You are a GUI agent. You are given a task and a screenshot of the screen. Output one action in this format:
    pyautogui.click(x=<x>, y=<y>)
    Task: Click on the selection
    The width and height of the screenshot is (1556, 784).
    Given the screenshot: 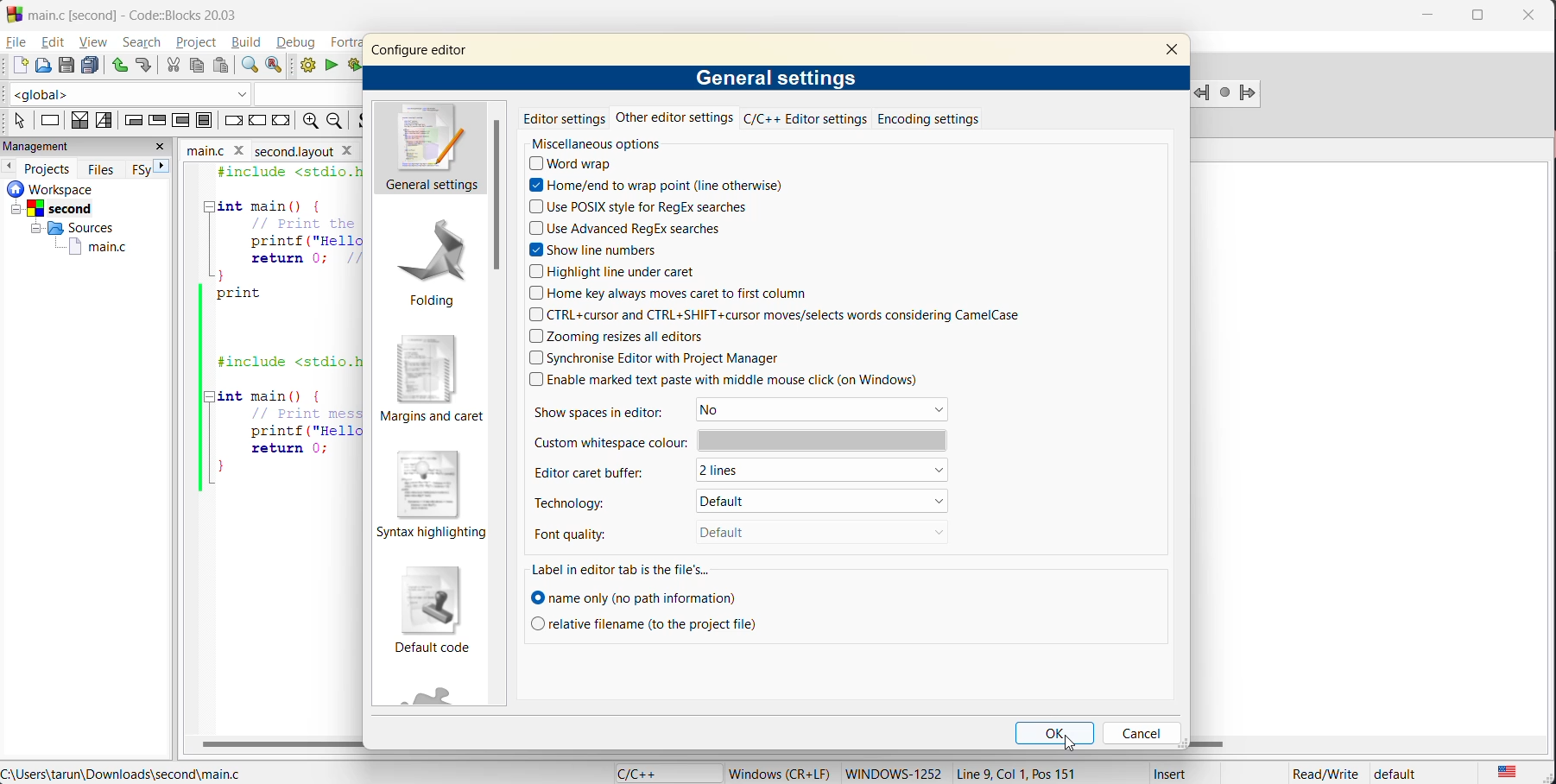 What is the action you would take?
    pyautogui.click(x=104, y=122)
    